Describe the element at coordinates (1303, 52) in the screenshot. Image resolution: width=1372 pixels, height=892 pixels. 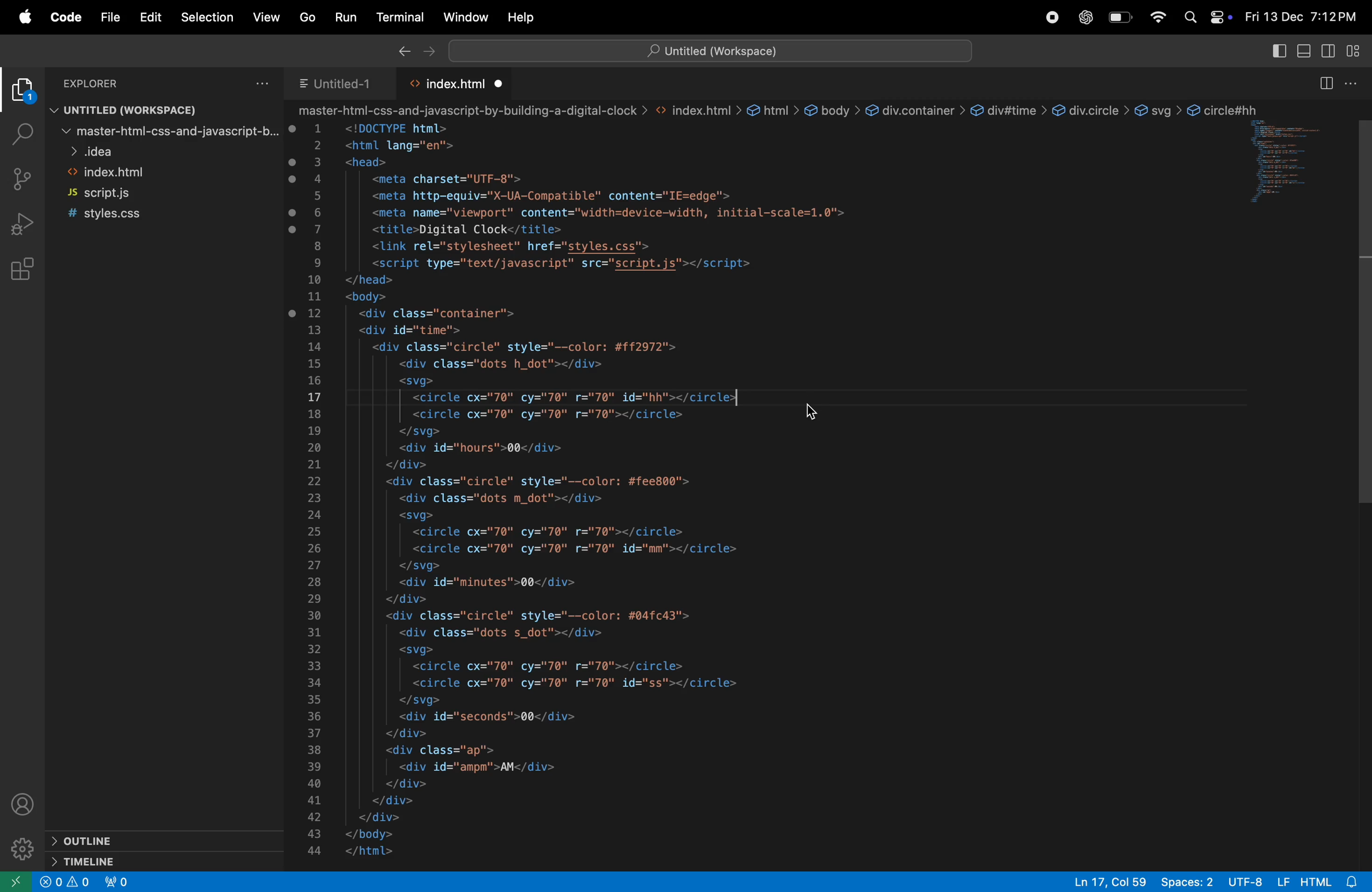
I see `toggle panel` at that location.